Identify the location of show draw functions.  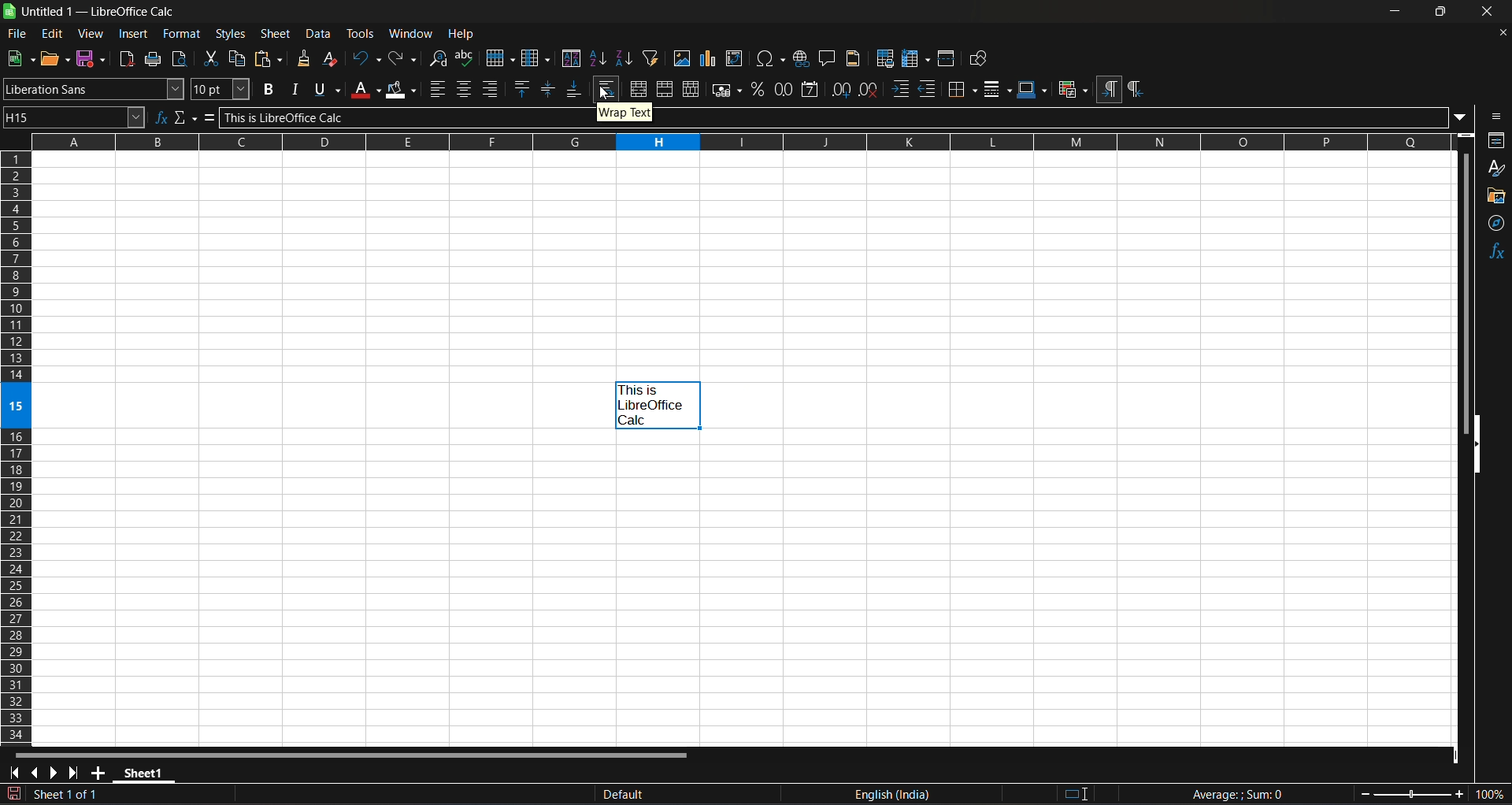
(979, 57).